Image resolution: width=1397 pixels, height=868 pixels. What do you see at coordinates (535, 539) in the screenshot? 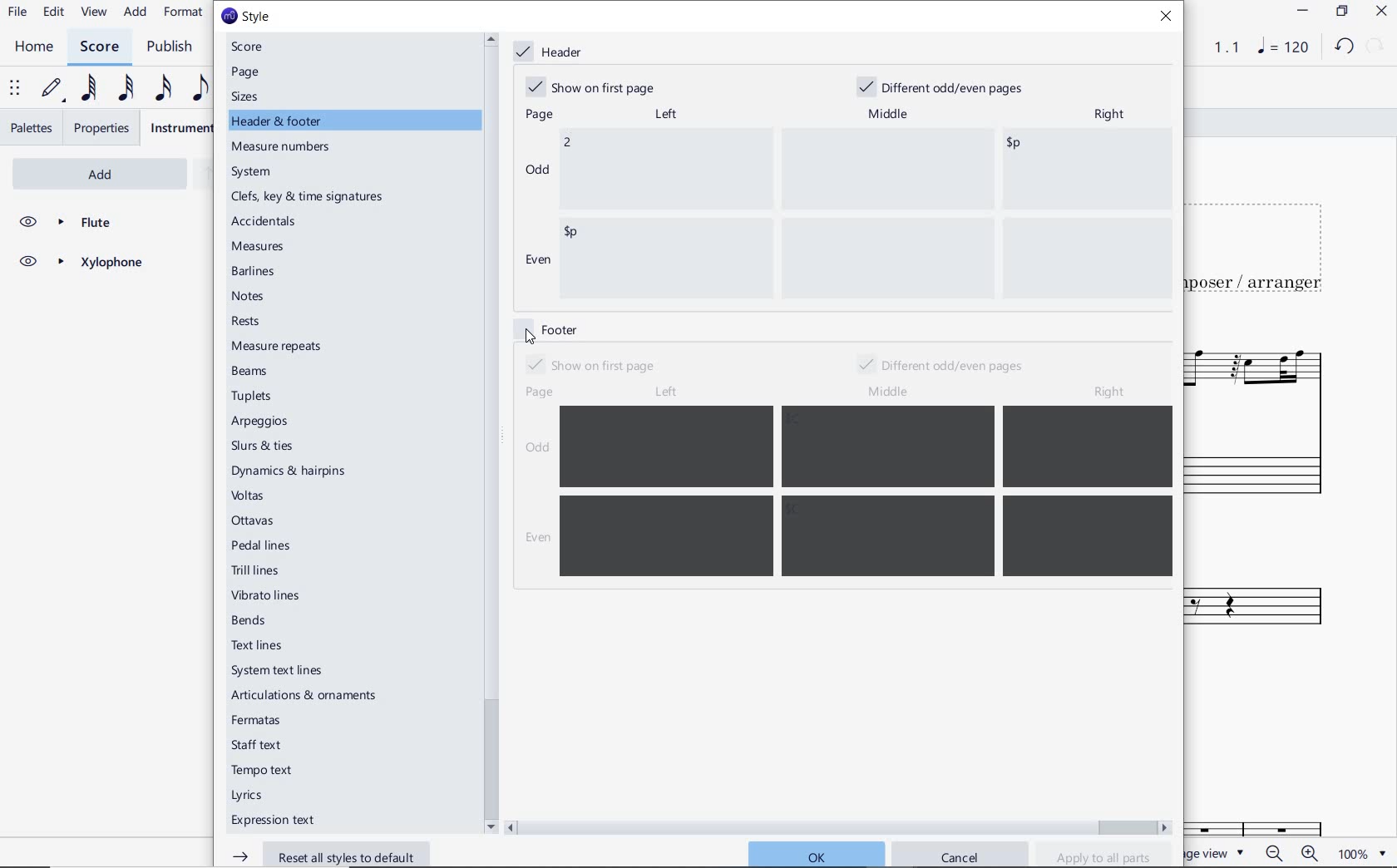
I see `even` at bounding box center [535, 539].